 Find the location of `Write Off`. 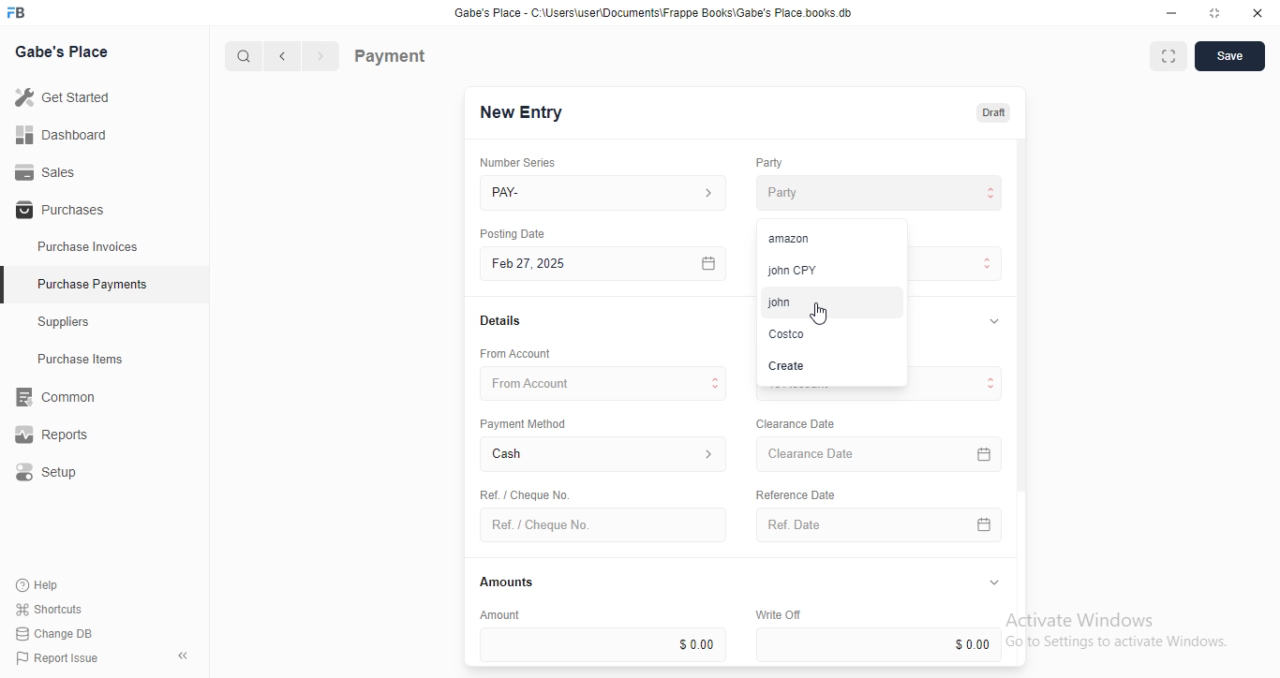

Write Off is located at coordinates (776, 614).